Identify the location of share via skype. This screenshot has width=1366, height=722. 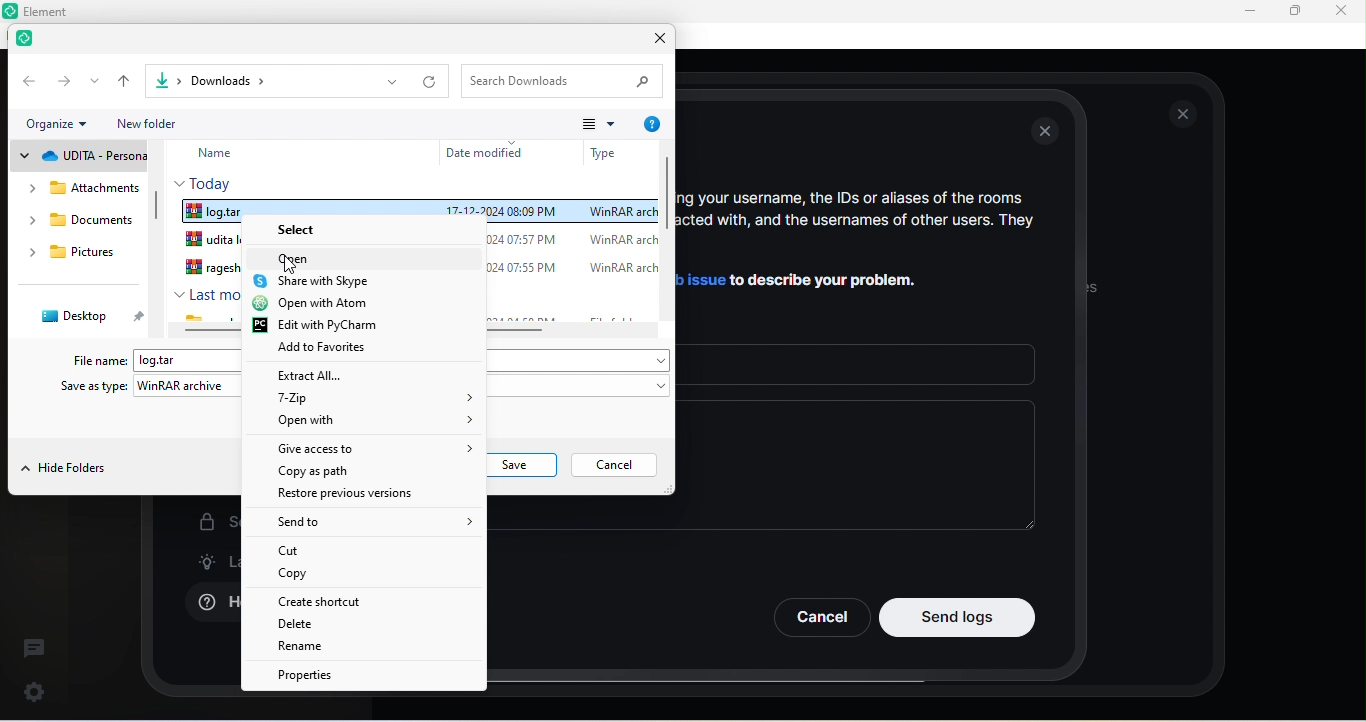
(338, 281).